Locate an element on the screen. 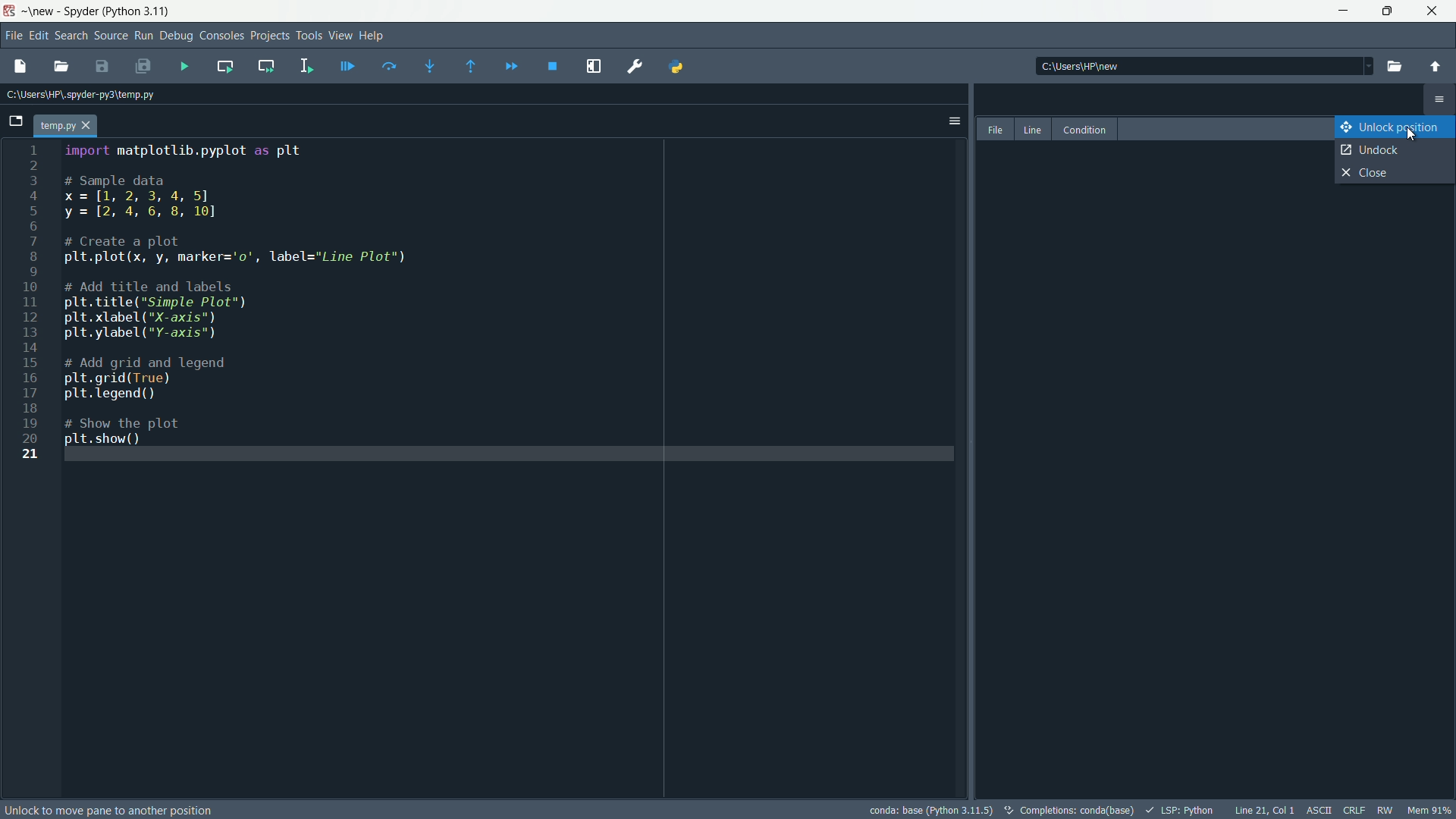 This screenshot has height=819, width=1456. search menu is located at coordinates (72, 36).